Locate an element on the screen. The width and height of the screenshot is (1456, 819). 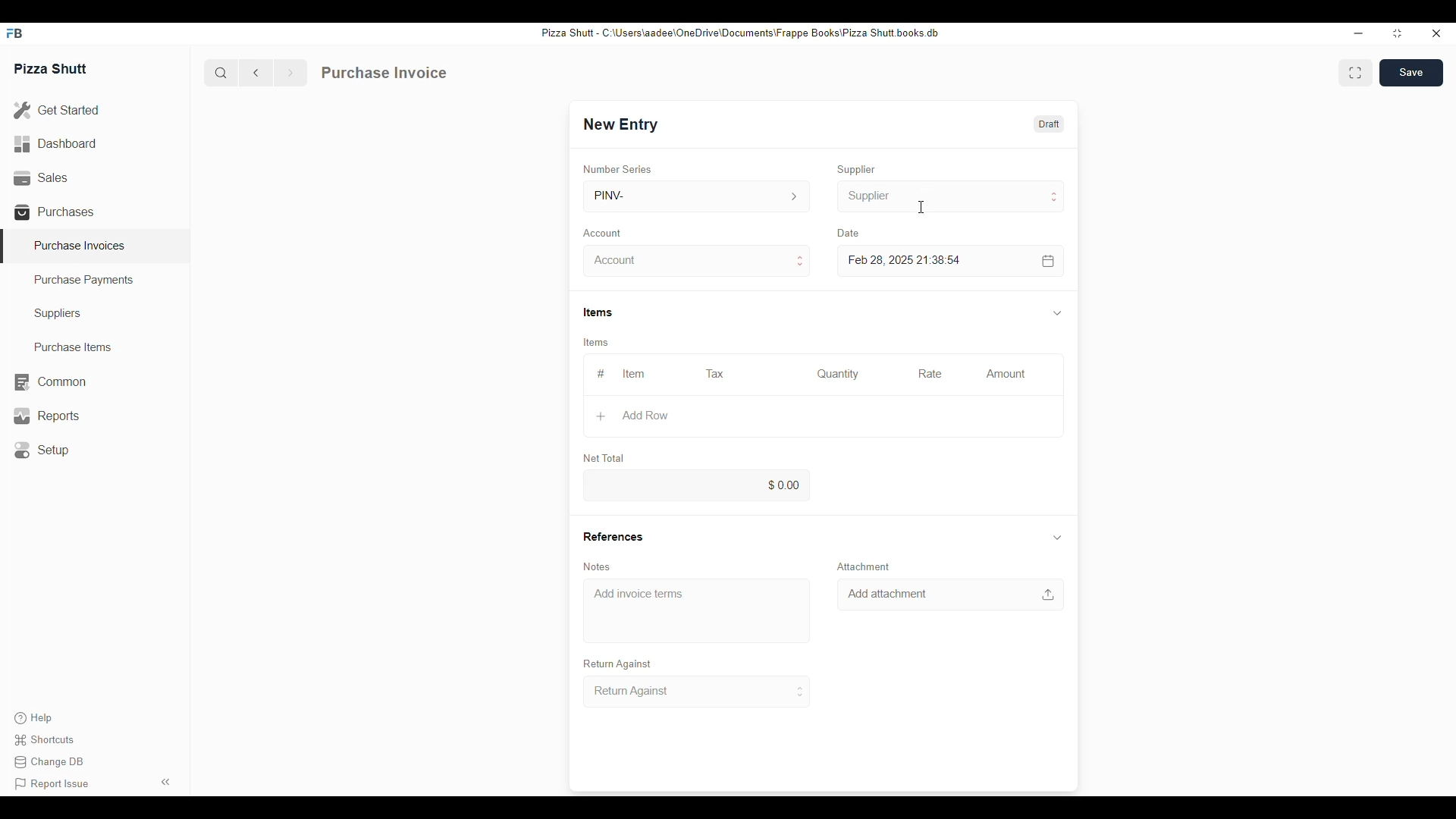
close is located at coordinates (1437, 34).